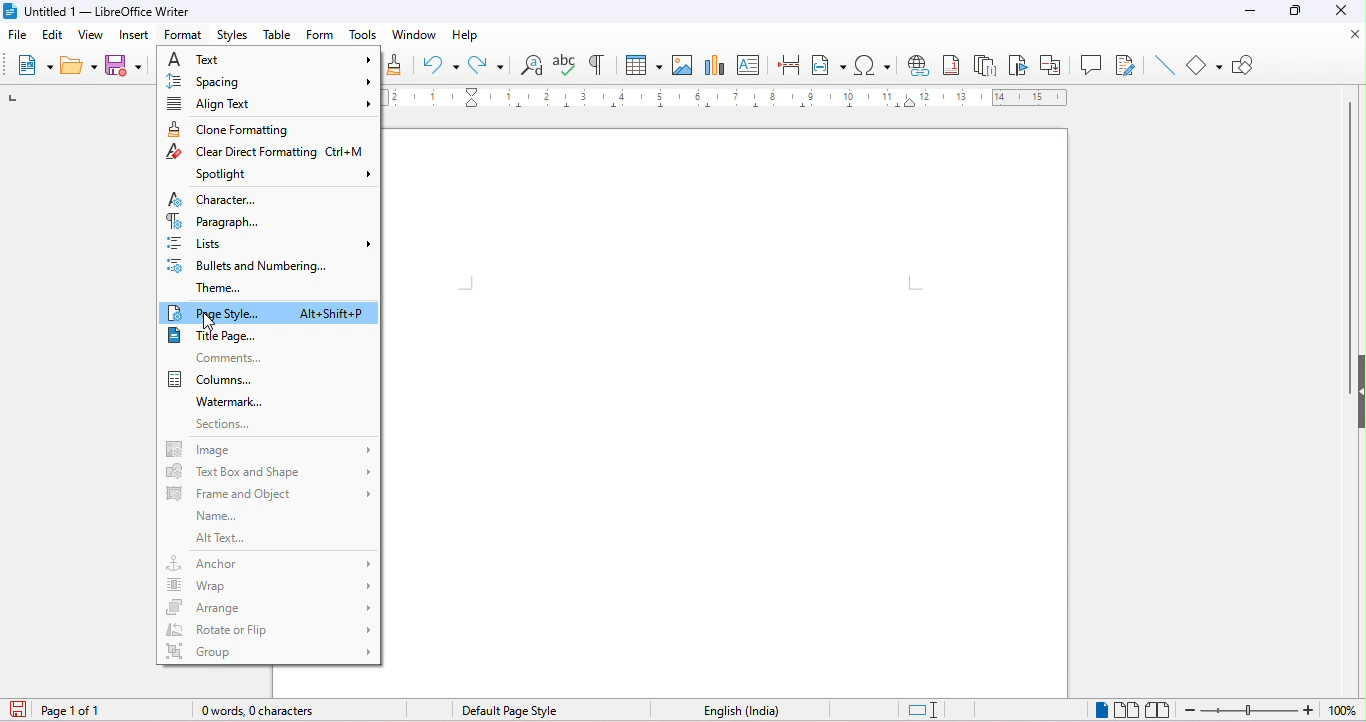 Image resolution: width=1366 pixels, height=722 pixels. Describe the element at coordinates (832, 62) in the screenshot. I see `field` at that location.